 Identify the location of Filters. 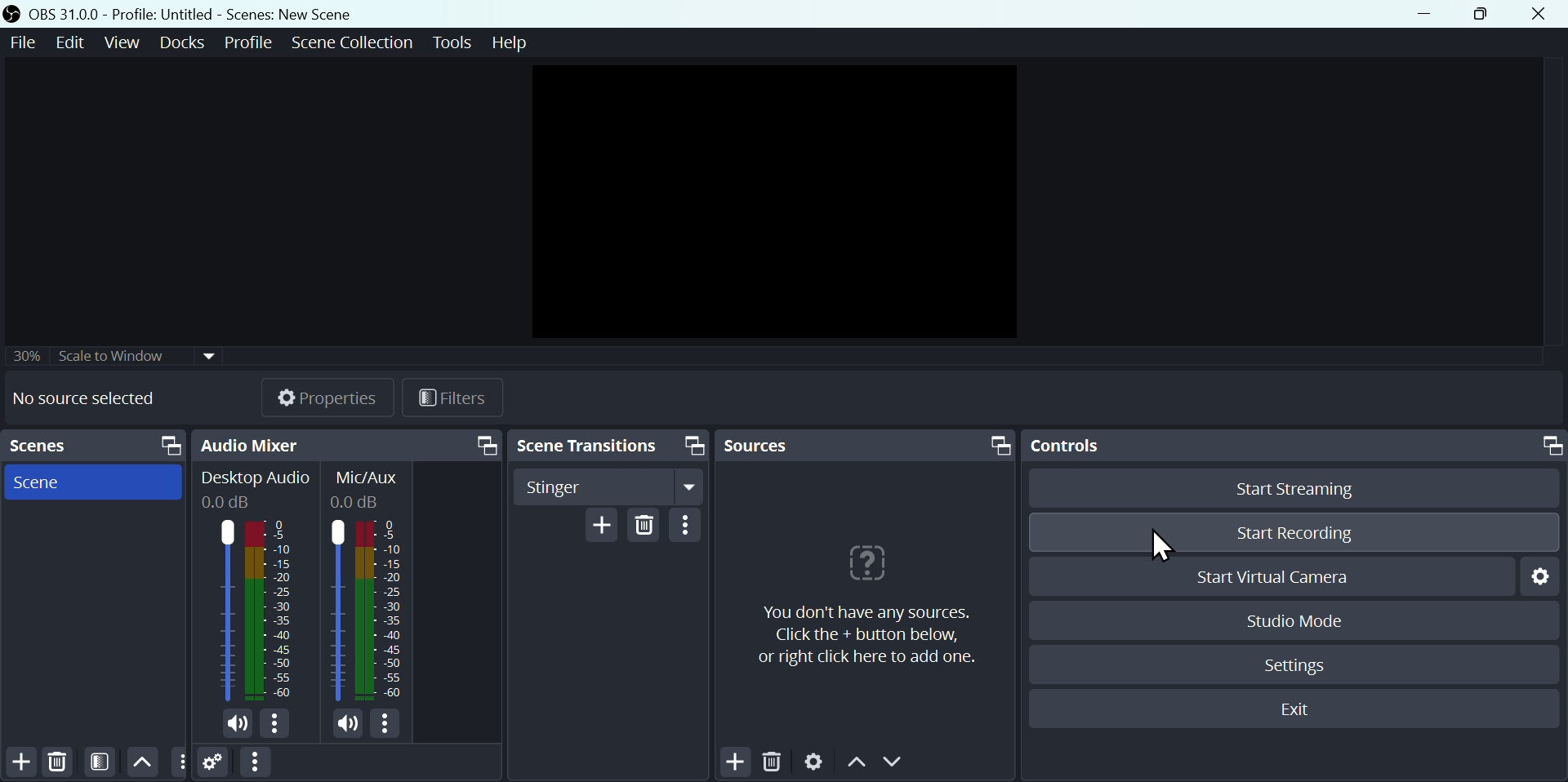
(456, 398).